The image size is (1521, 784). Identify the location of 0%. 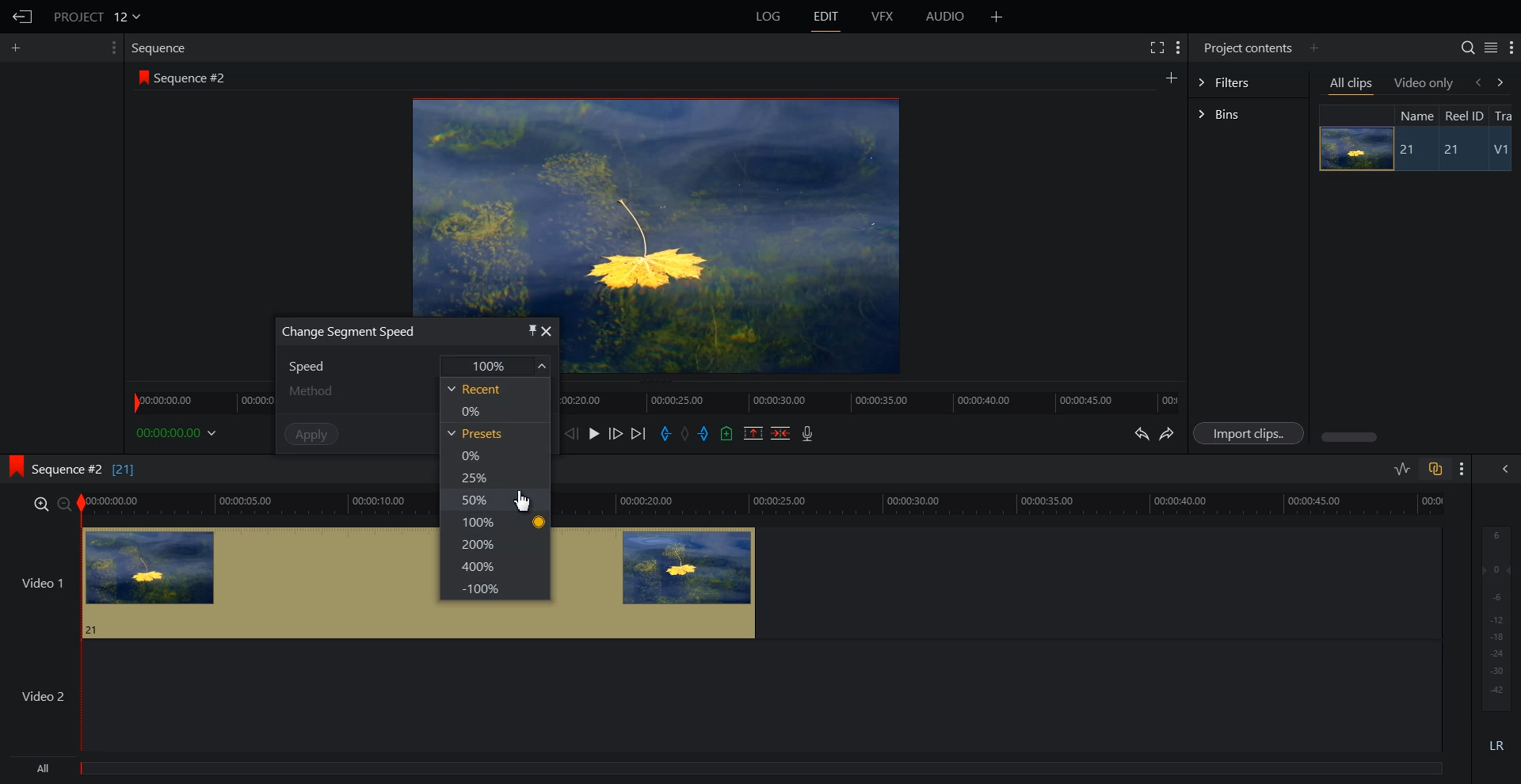
(475, 413).